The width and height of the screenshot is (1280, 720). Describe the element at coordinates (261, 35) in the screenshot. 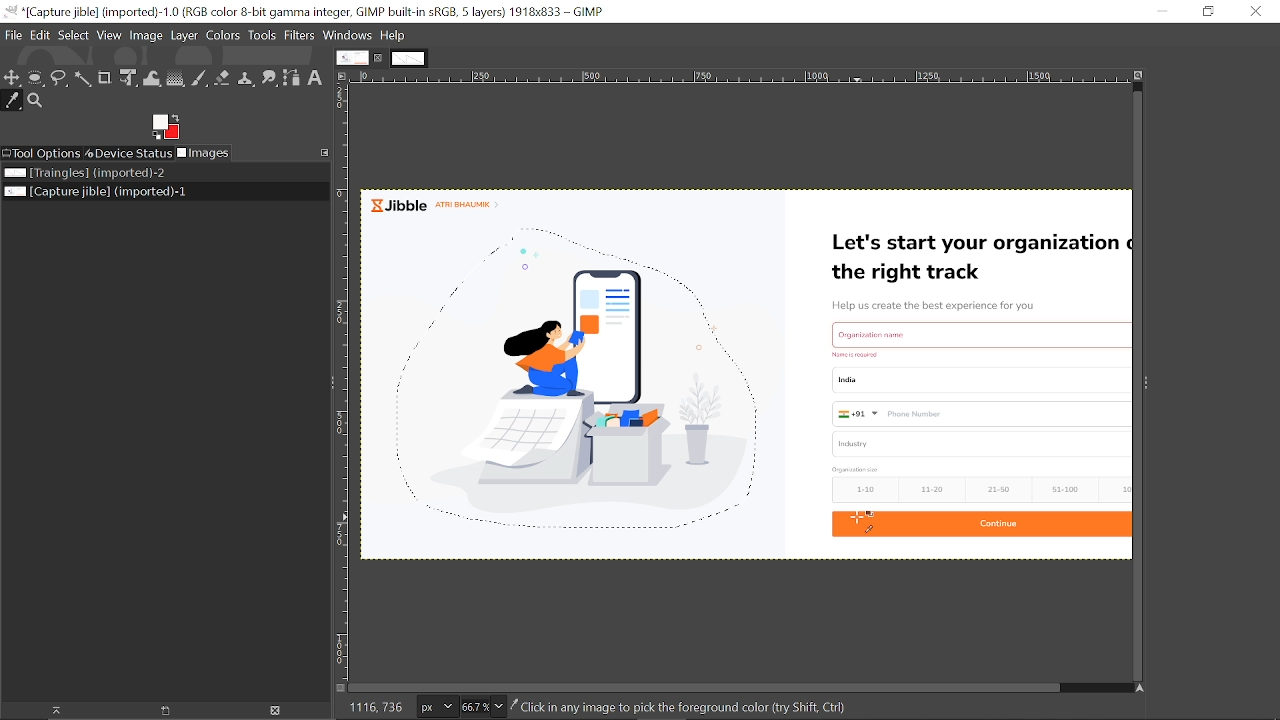

I see `Tools` at that location.